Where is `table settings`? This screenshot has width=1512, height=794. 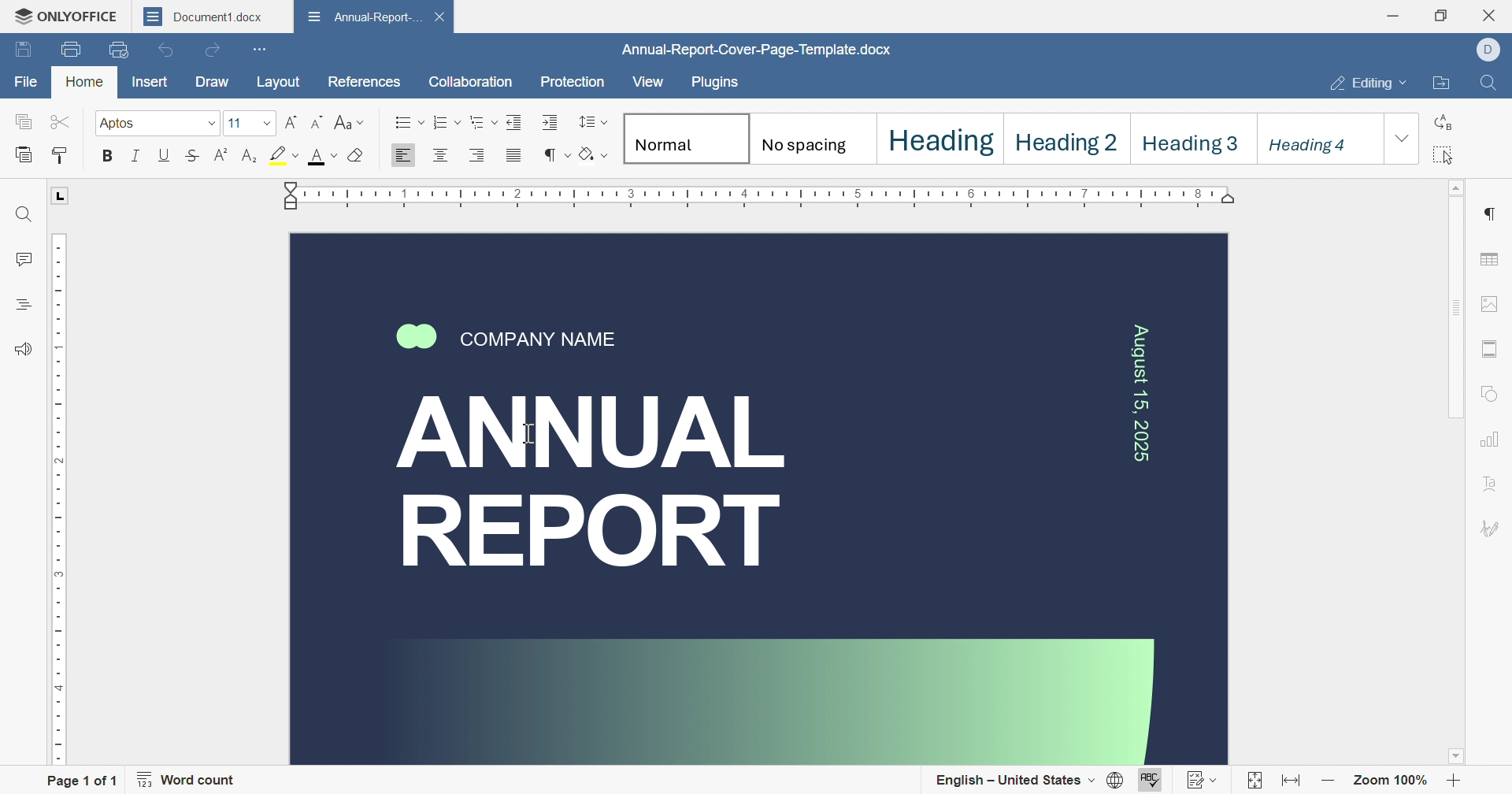
table settings is located at coordinates (1492, 262).